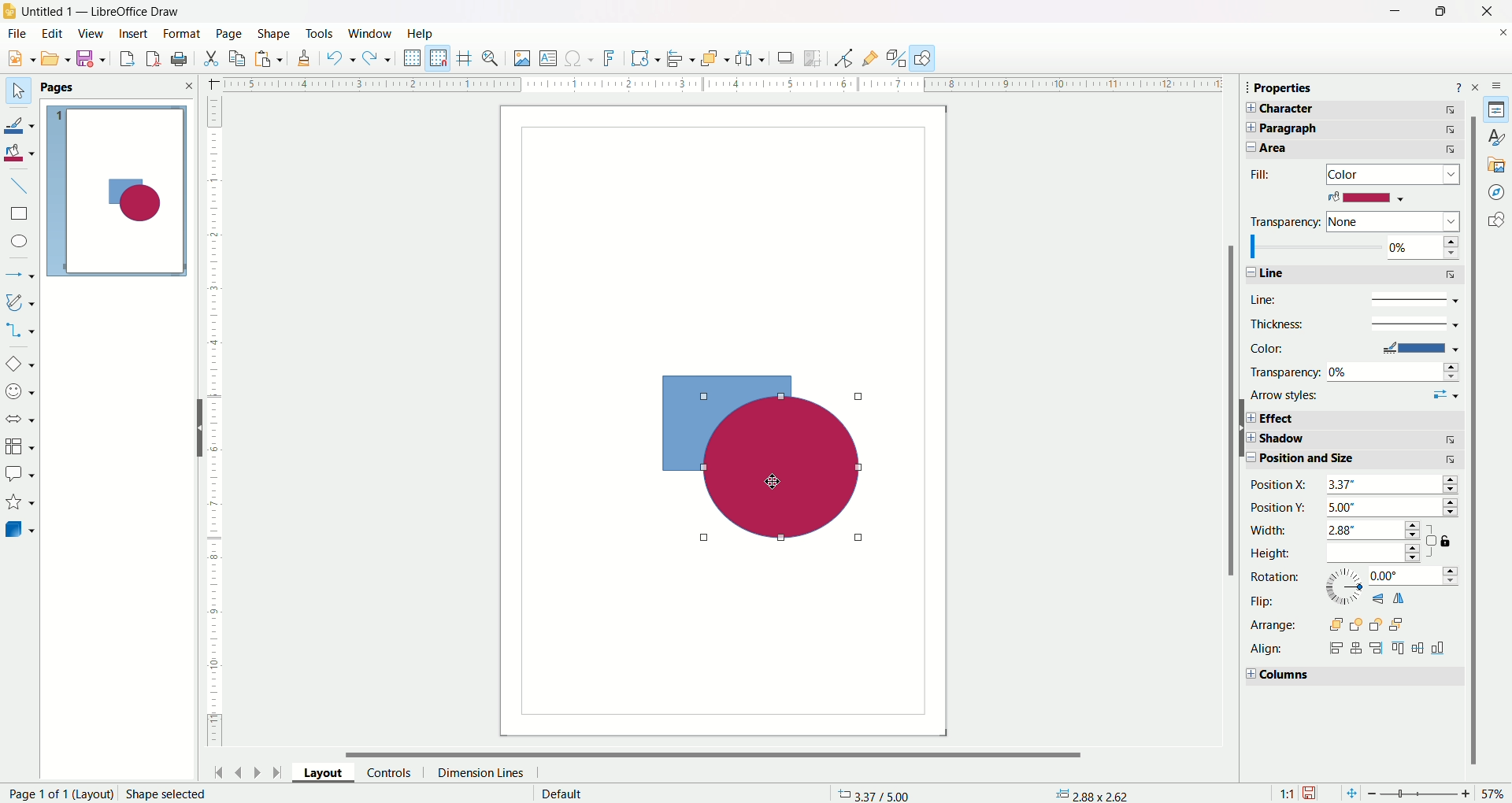 The image size is (1512, 803). I want to click on page, so click(228, 33).